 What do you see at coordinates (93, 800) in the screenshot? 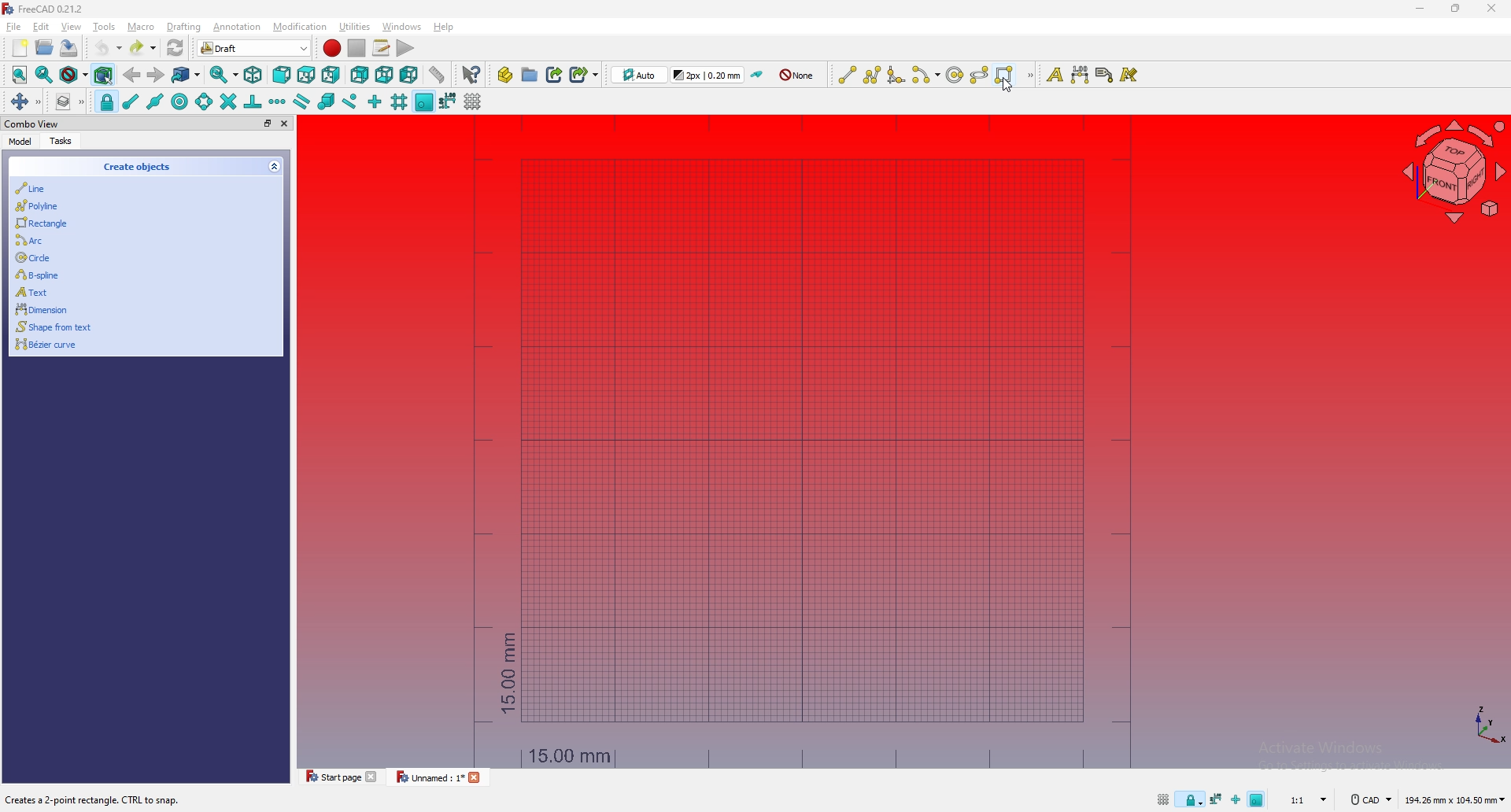
I see `Creates a 2-point rectangle. Ctrl to snap.` at bounding box center [93, 800].